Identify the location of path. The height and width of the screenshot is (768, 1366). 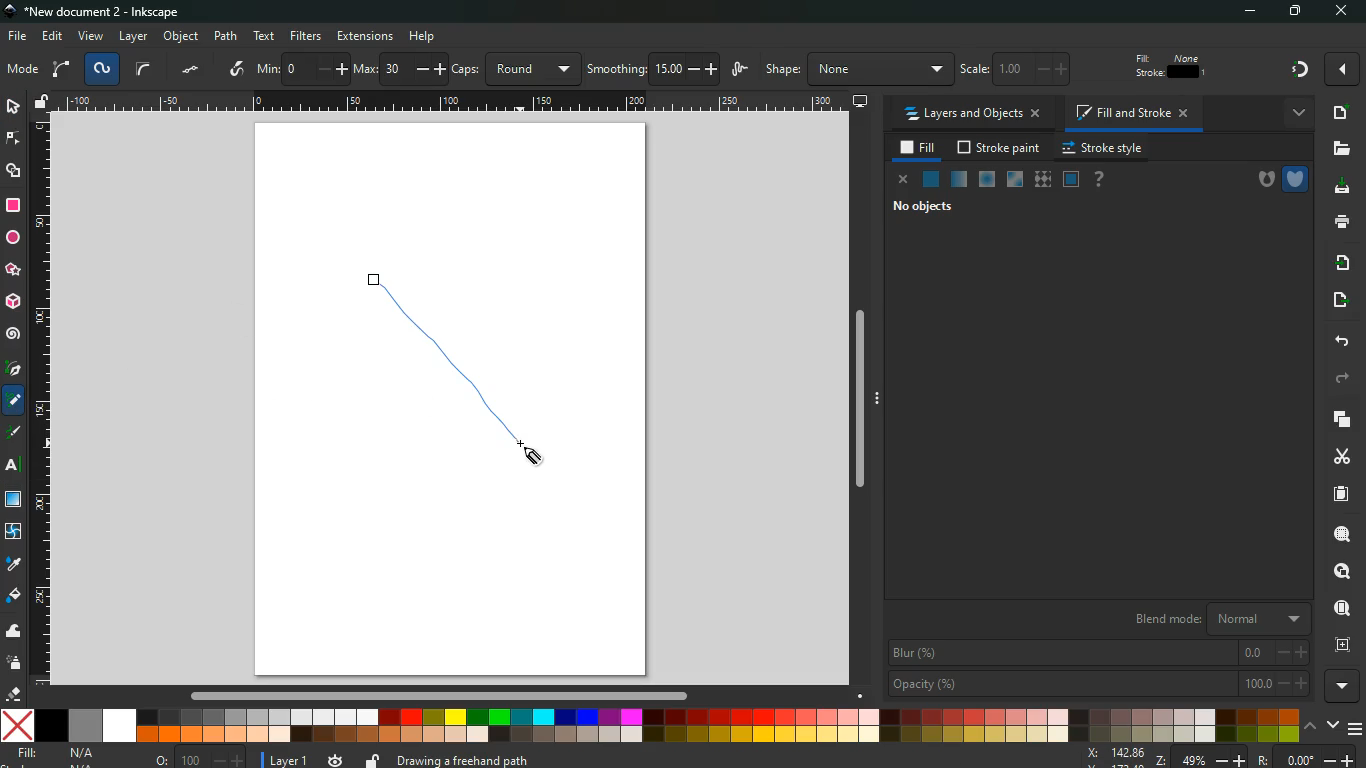
(226, 35).